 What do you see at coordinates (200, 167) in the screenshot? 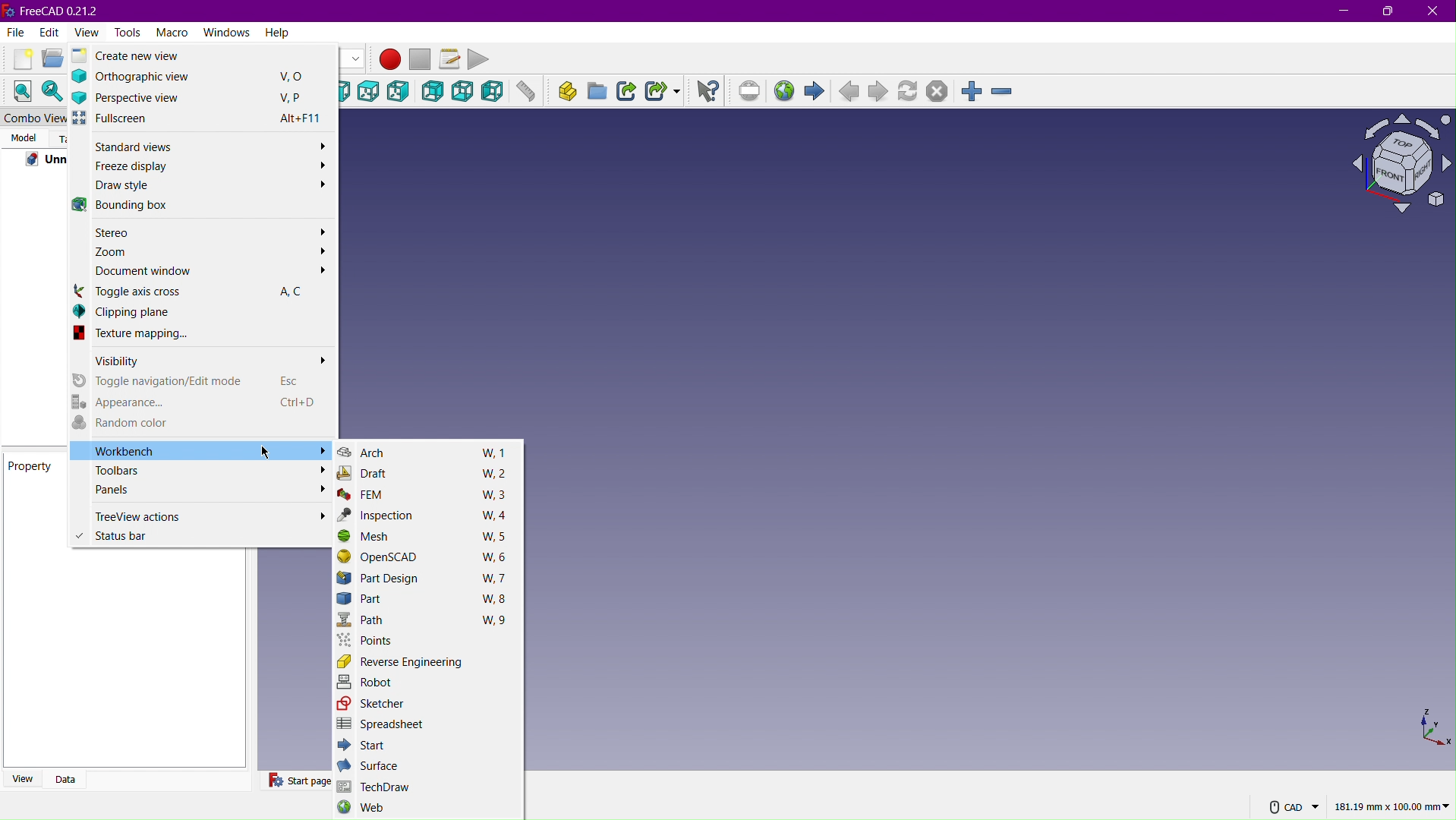
I see `Freeze display` at bounding box center [200, 167].